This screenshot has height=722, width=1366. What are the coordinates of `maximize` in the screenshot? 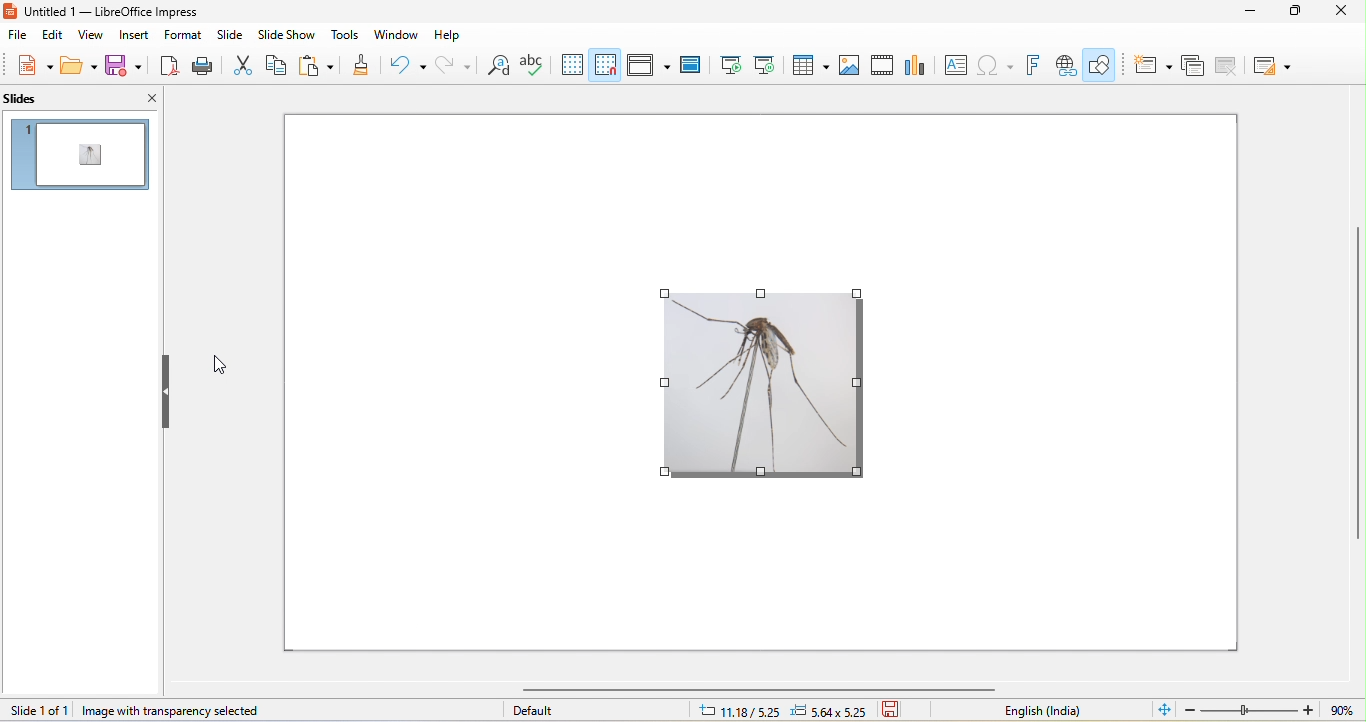 It's located at (1298, 15).